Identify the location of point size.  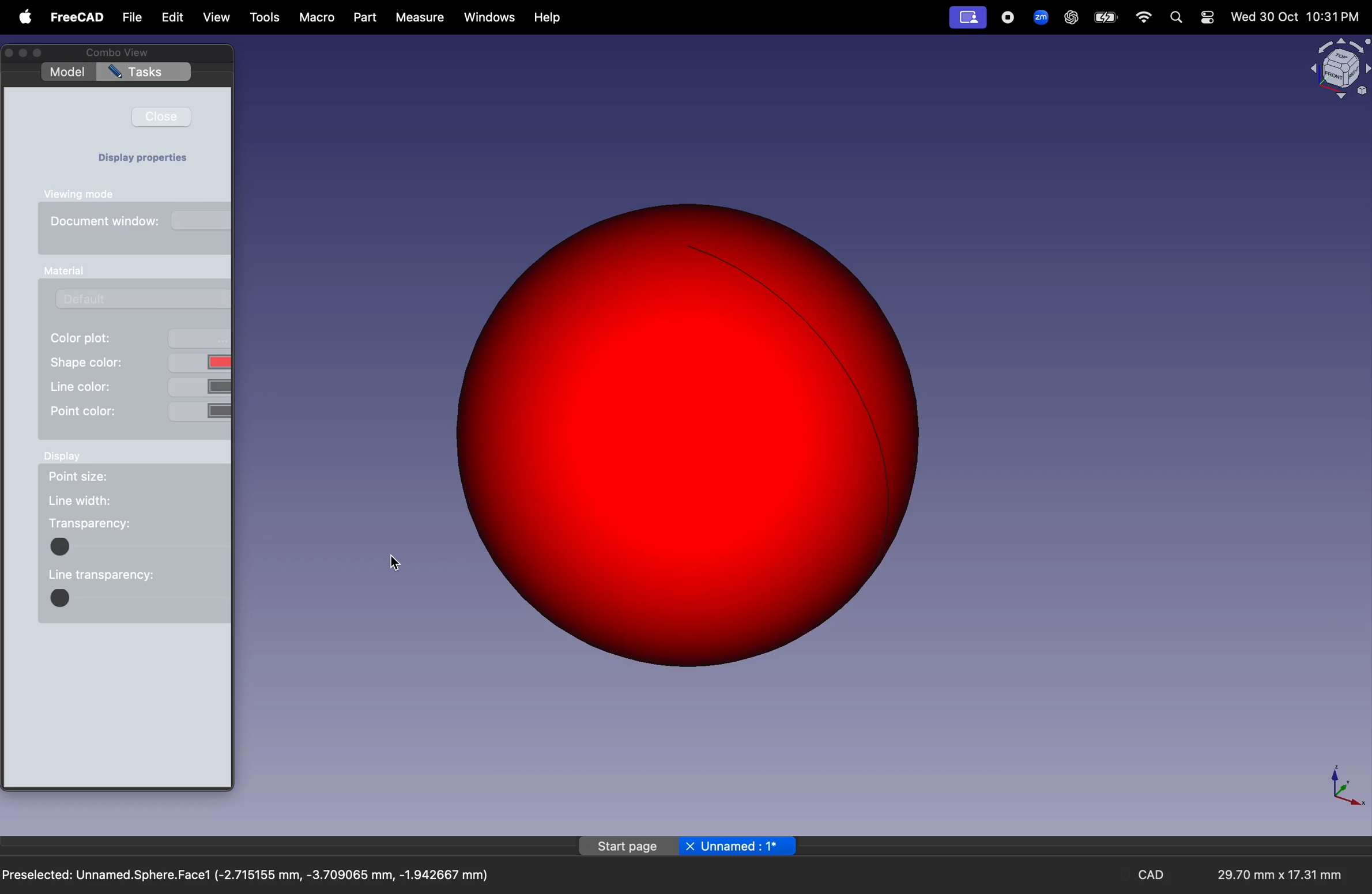
(86, 476).